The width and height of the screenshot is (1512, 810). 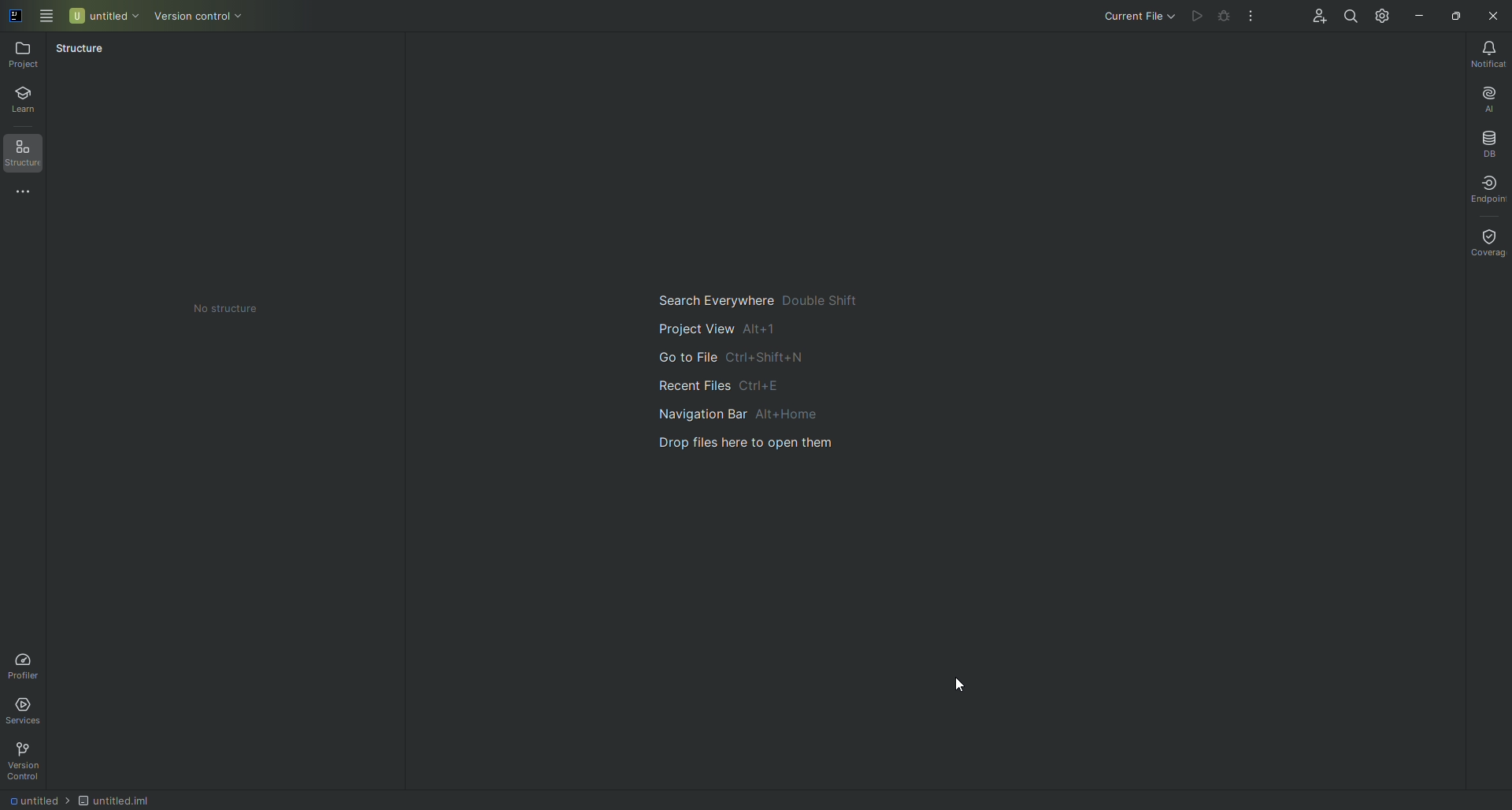 I want to click on Current File, so click(x=1142, y=17).